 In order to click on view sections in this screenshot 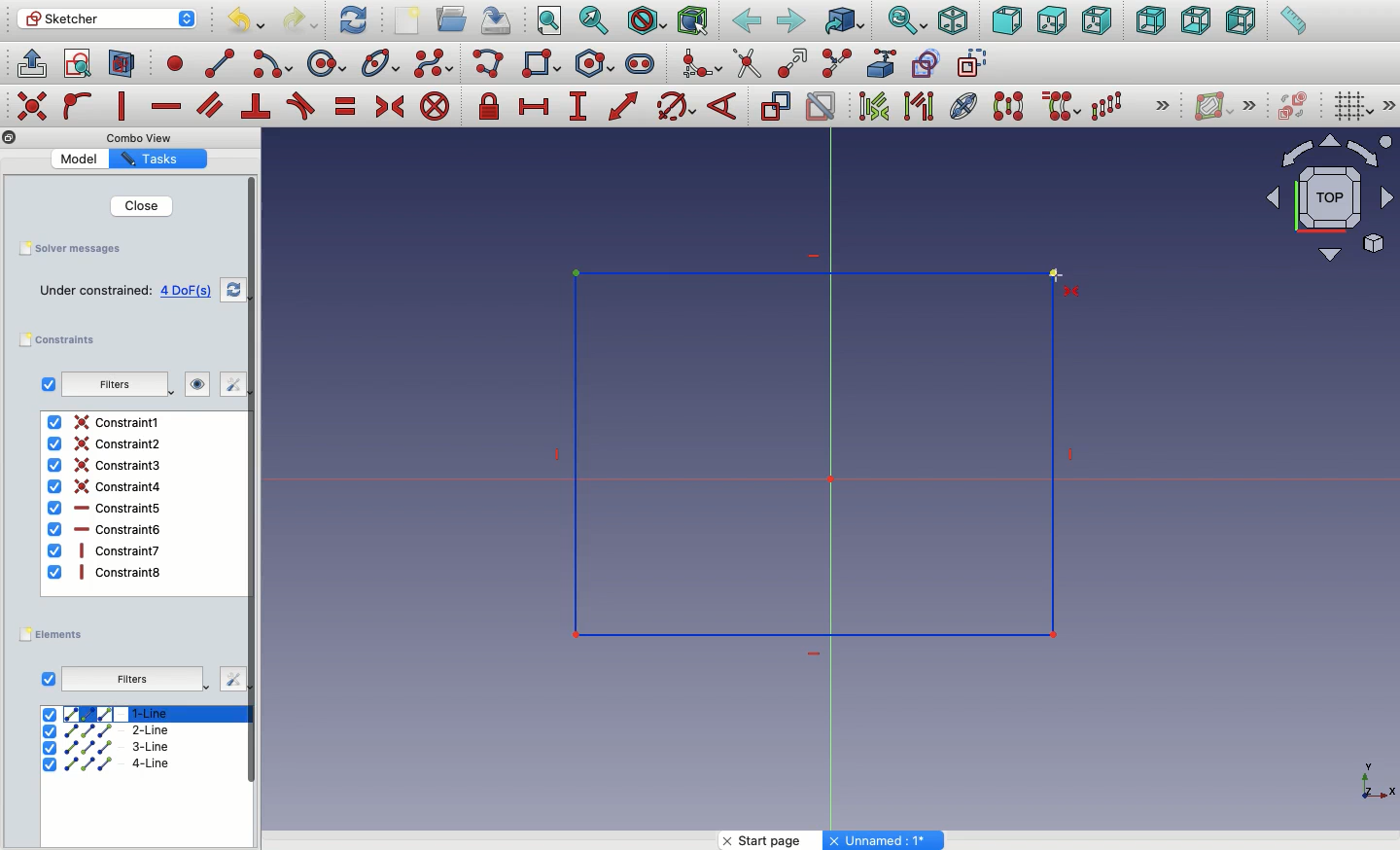, I will do `click(126, 65)`.